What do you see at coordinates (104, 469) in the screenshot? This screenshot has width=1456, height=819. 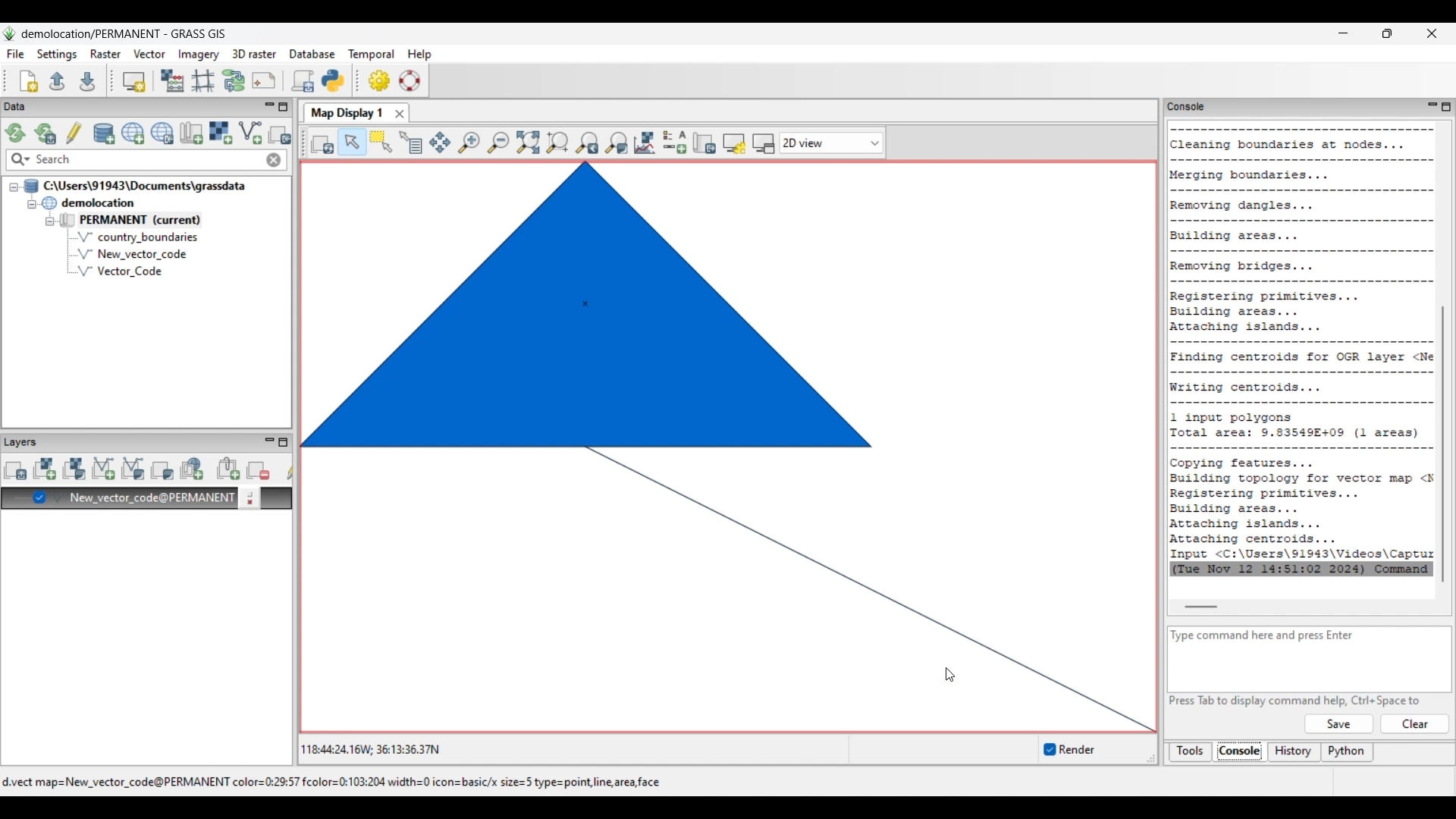 I see `Add vector map layer` at bounding box center [104, 469].